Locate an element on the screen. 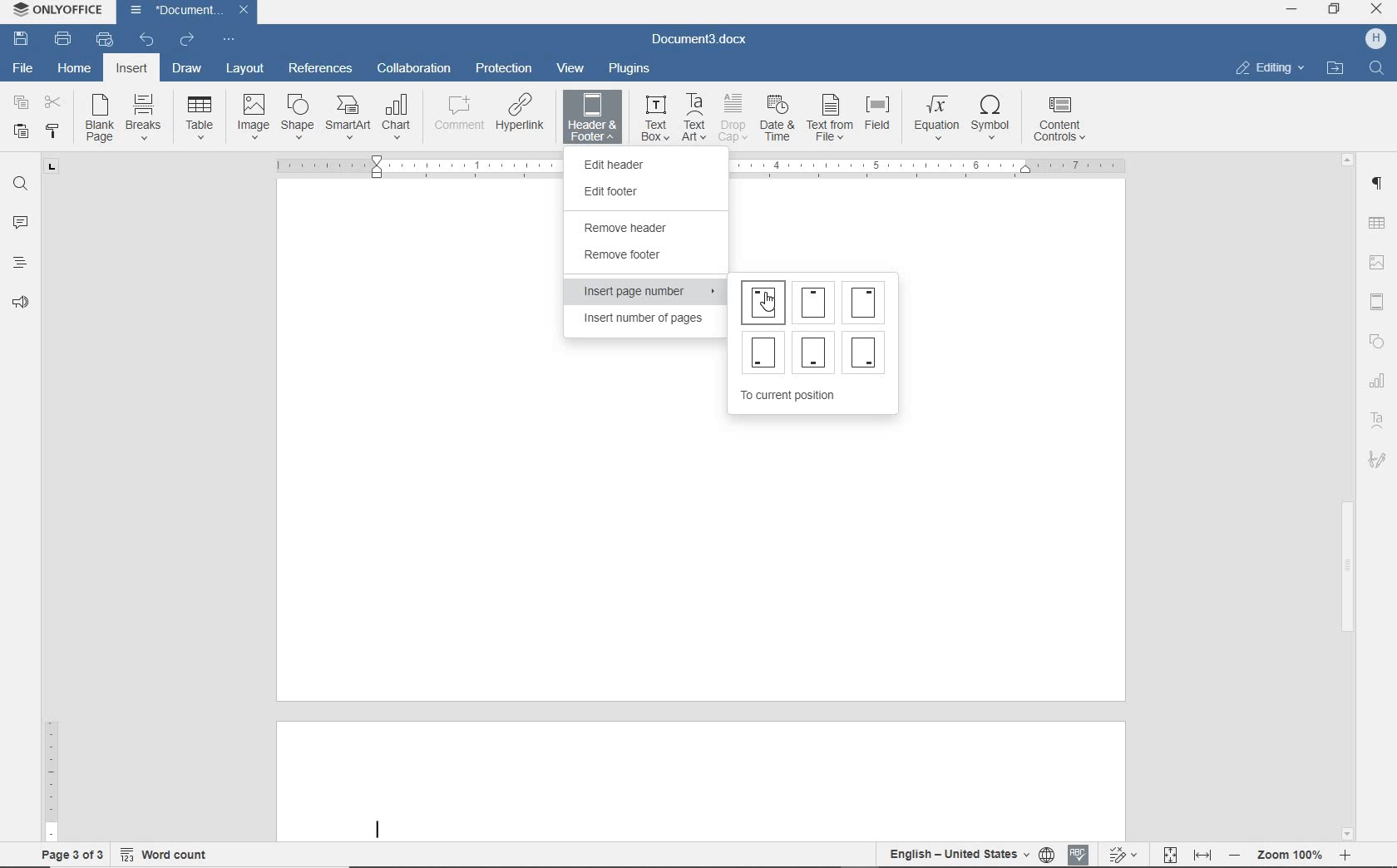  FIELD is located at coordinates (882, 118).